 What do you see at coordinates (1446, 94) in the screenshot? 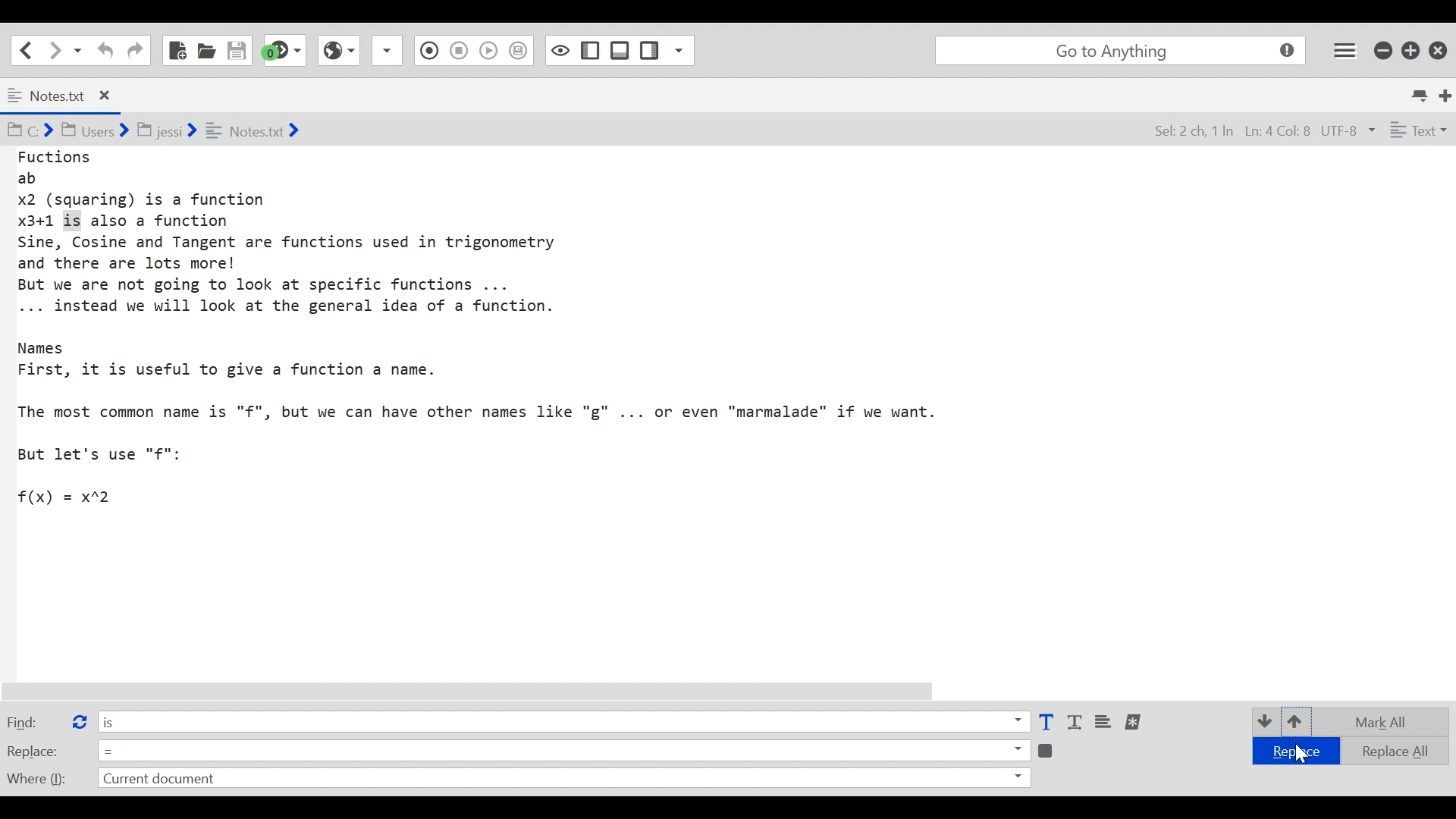
I see `New Tab` at bounding box center [1446, 94].